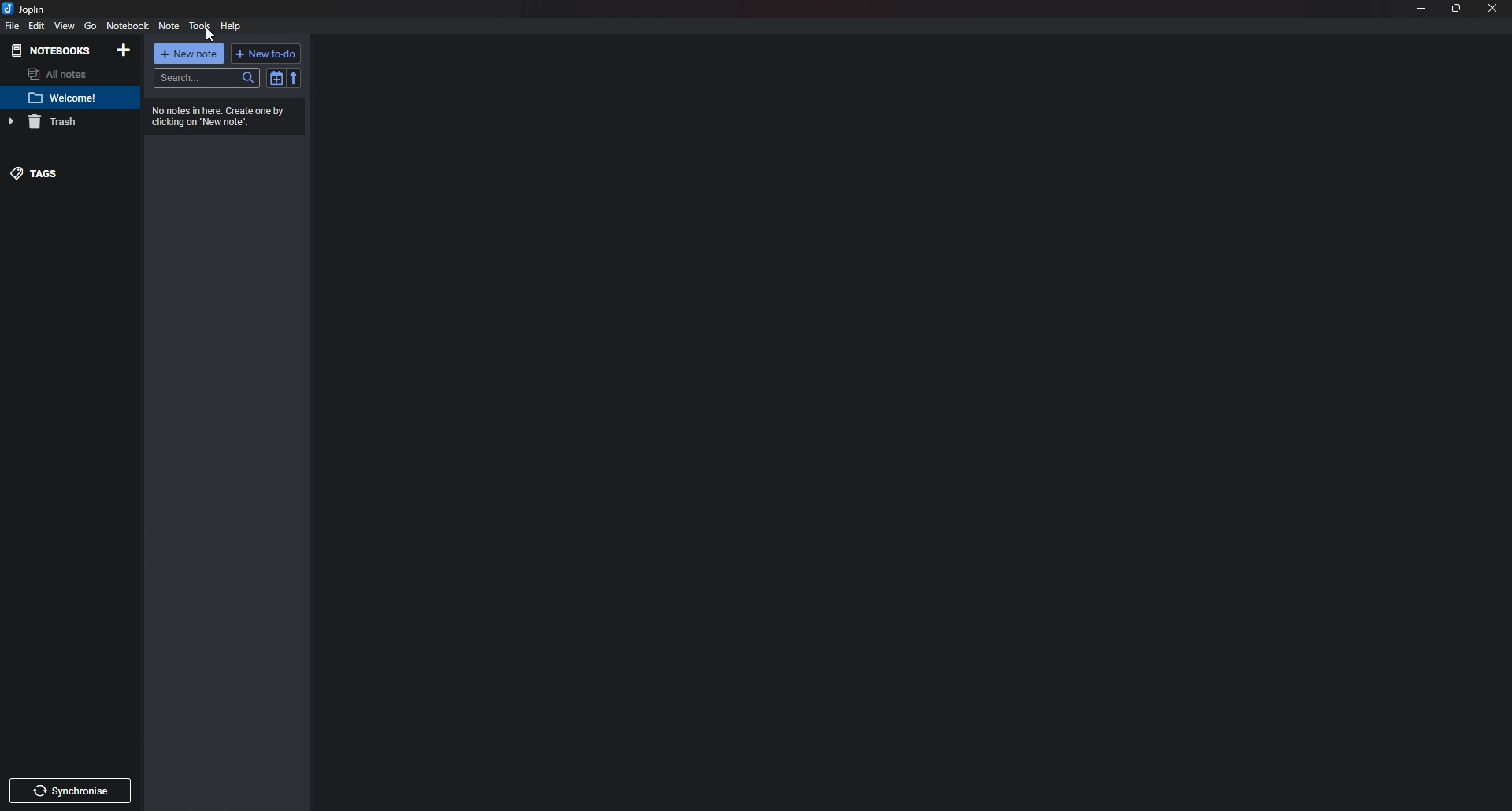 The height and width of the screenshot is (811, 1512). What do you see at coordinates (168, 28) in the screenshot?
I see `Note` at bounding box center [168, 28].